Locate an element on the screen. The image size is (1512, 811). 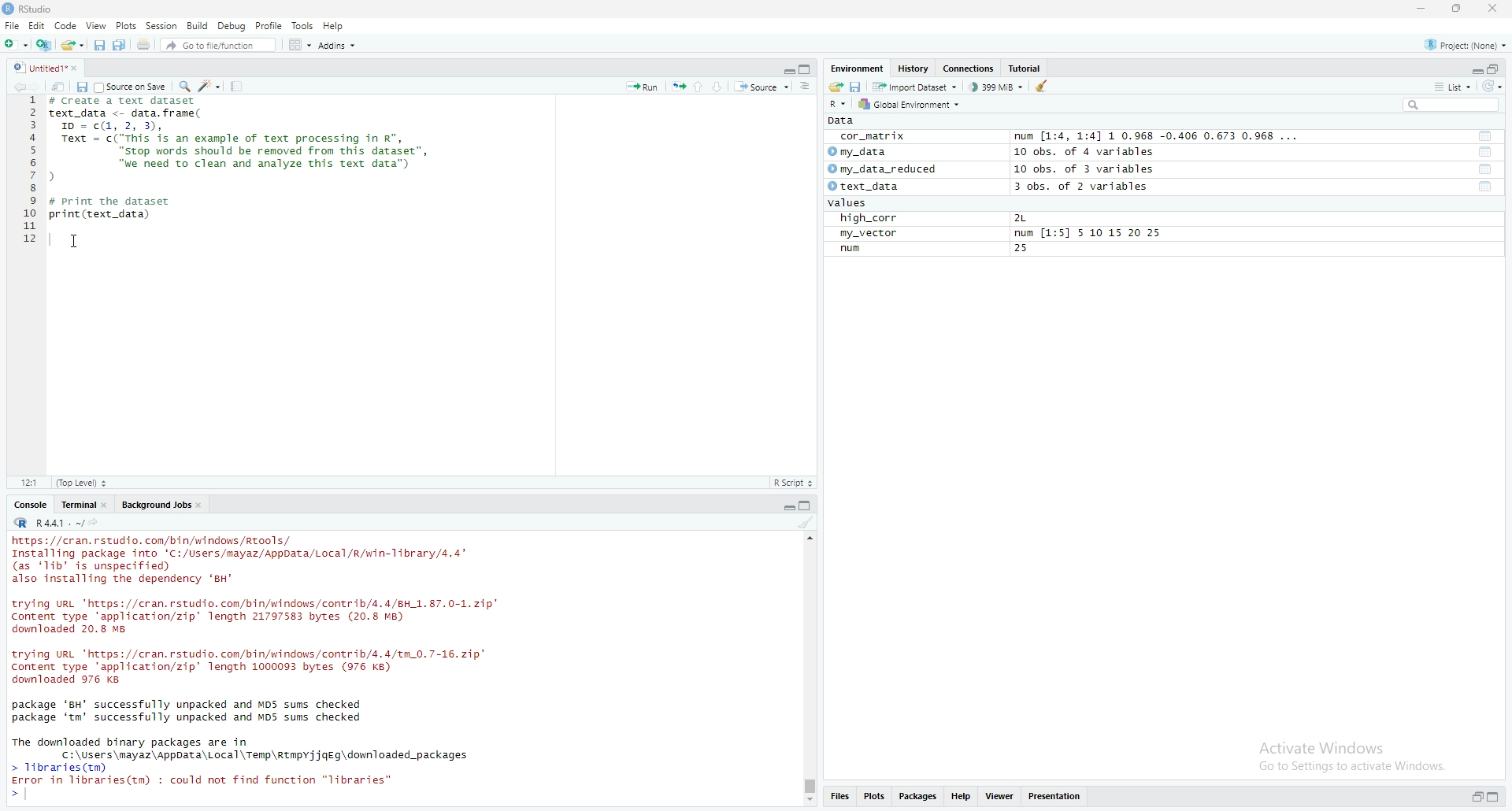
functions is located at coordinates (1484, 137).